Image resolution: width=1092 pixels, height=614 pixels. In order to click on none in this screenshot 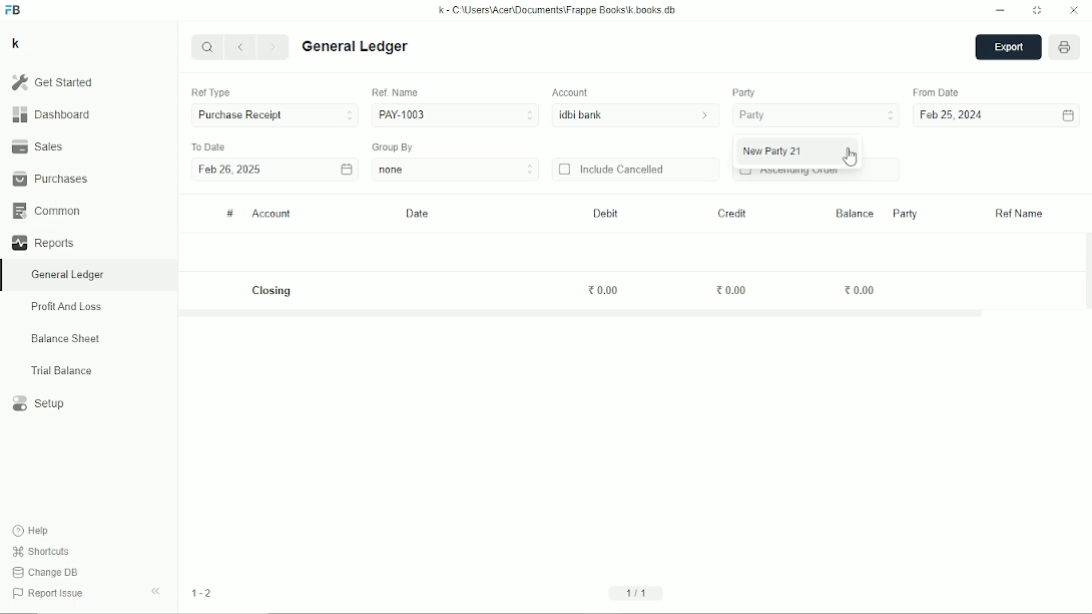, I will do `click(456, 169)`.